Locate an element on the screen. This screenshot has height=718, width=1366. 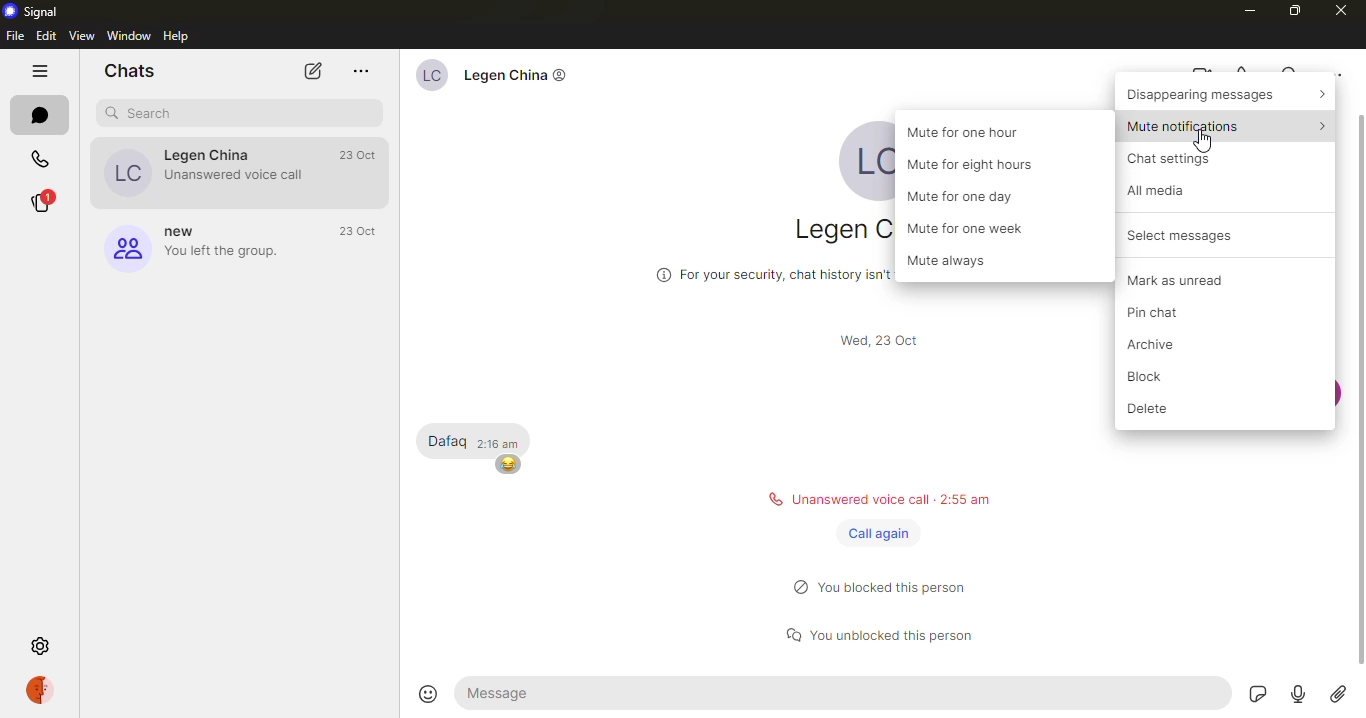
mute notifications is located at coordinates (1229, 124).